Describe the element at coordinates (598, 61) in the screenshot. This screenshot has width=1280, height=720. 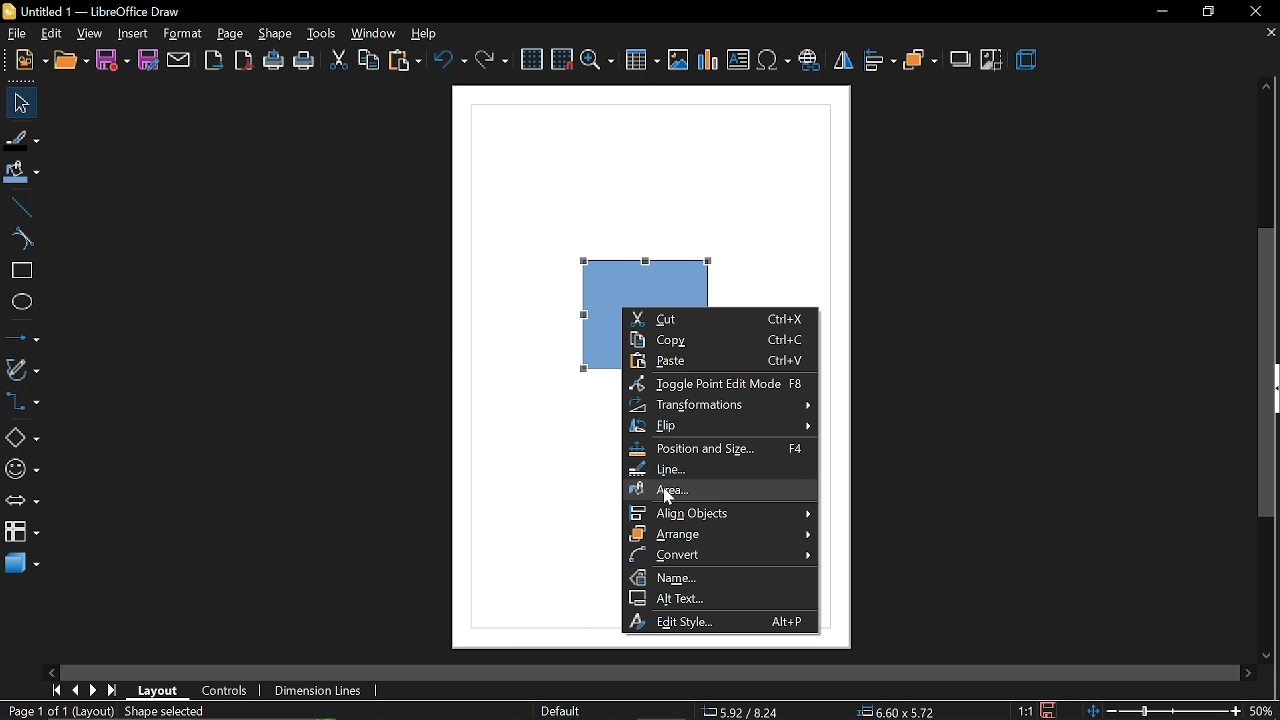
I see `zoom` at that location.